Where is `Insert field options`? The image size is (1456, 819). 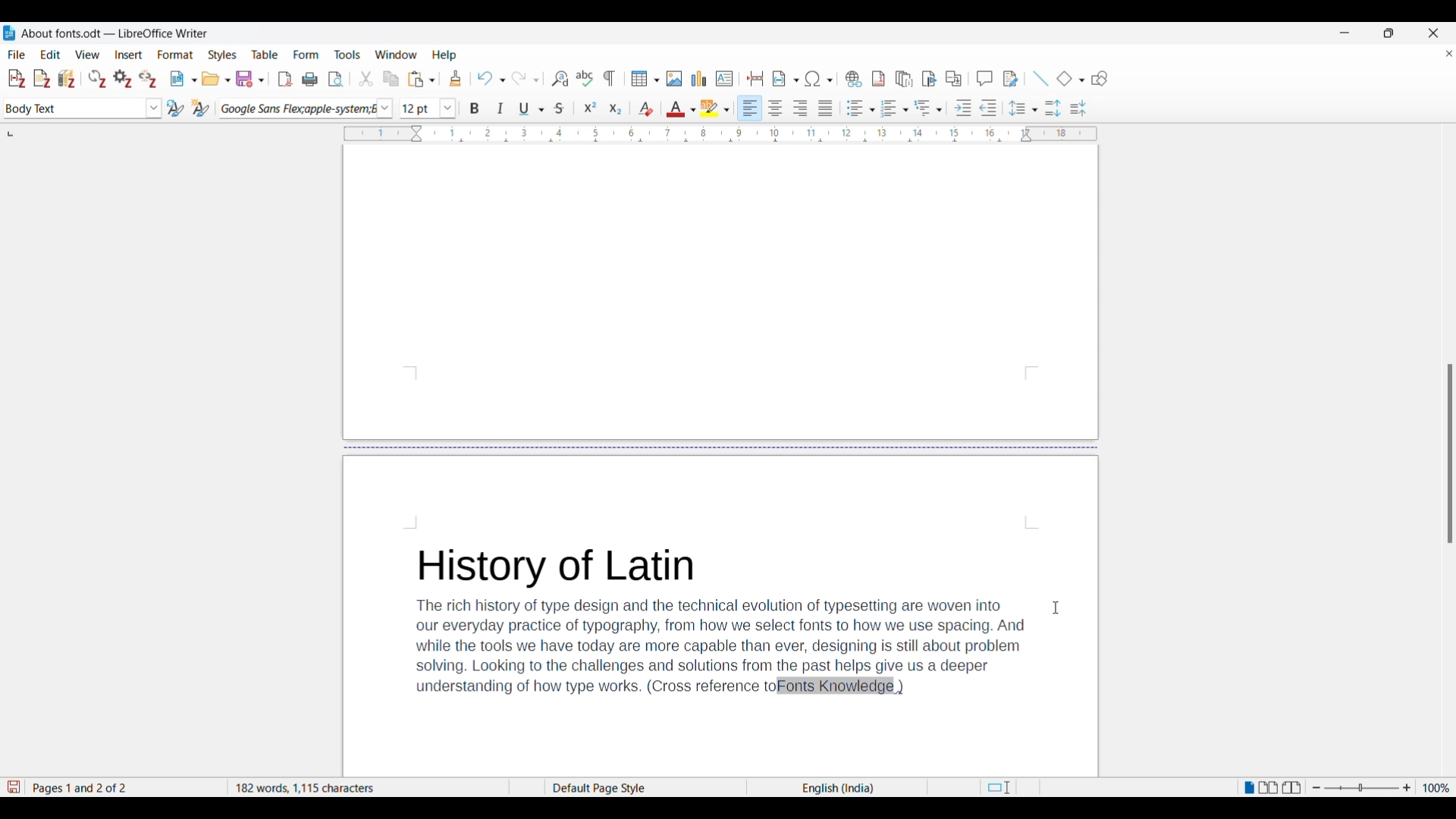
Insert field options is located at coordinates (786, 78).